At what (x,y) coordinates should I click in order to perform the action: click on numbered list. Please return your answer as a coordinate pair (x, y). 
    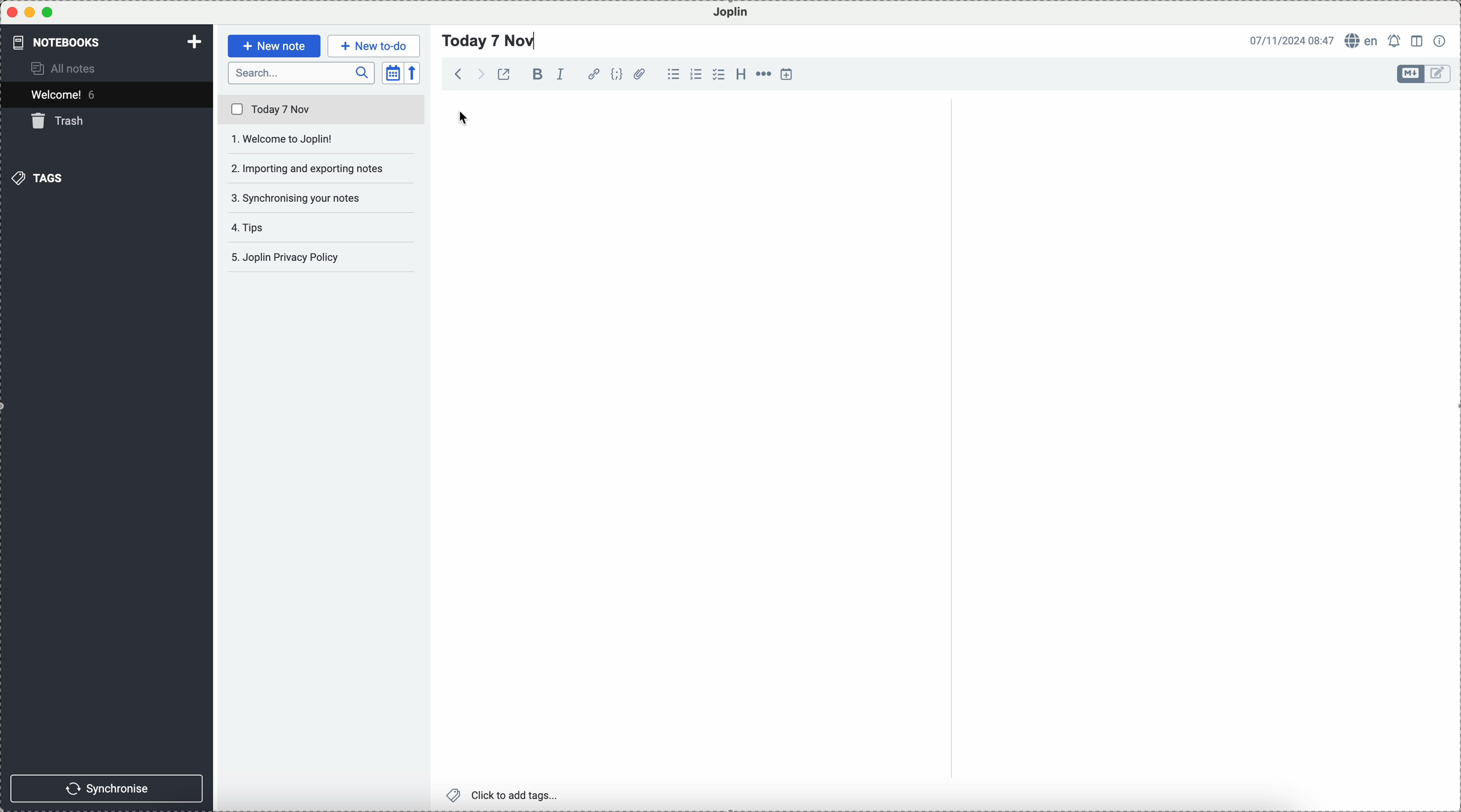
    Looking at the image, I should click on (696, 74).